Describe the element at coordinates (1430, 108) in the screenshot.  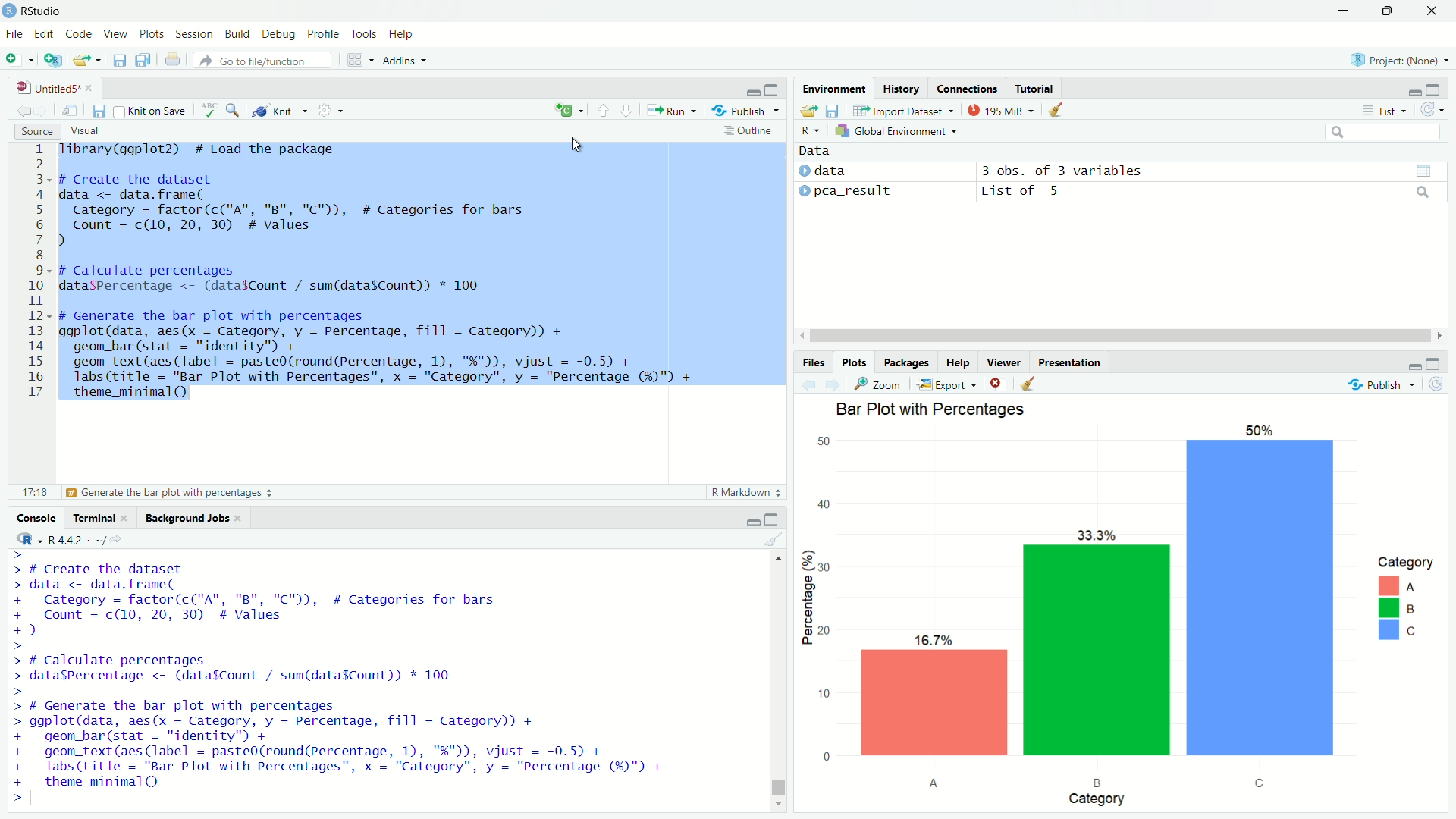
I see `refresh` at that location.